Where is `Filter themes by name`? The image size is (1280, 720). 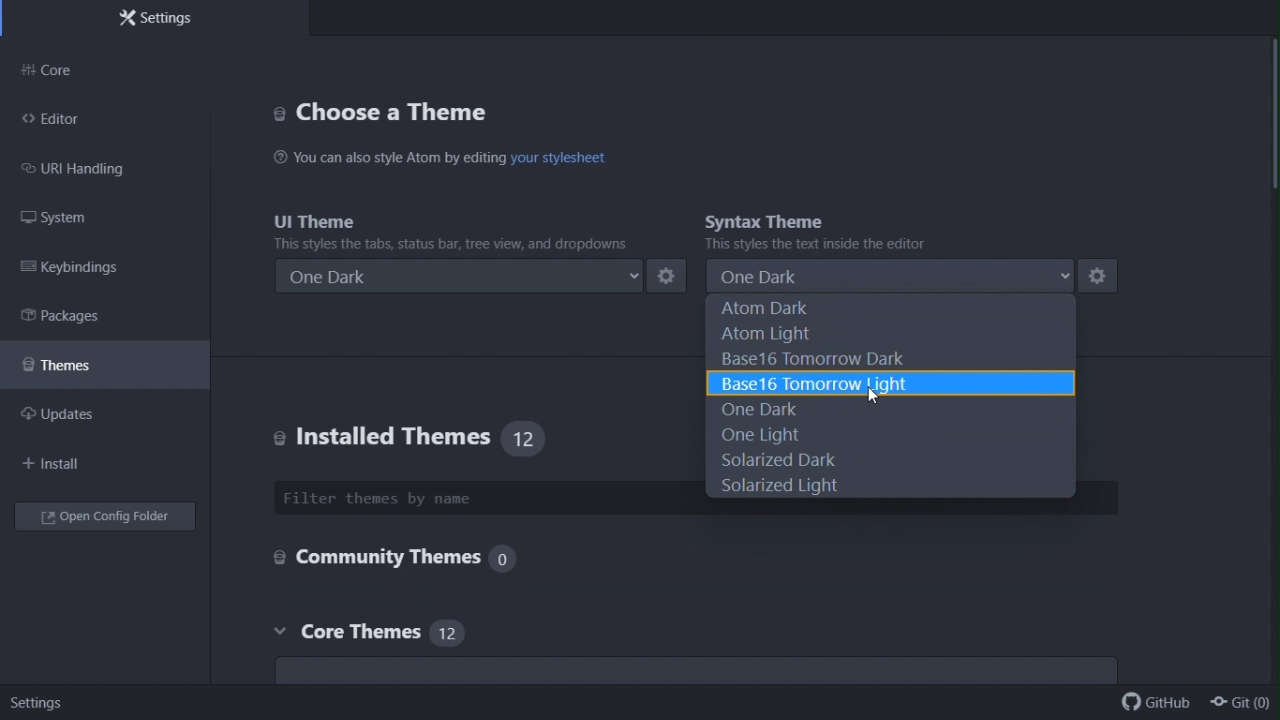
Filter themes by name is located at coordinates (452, 498).